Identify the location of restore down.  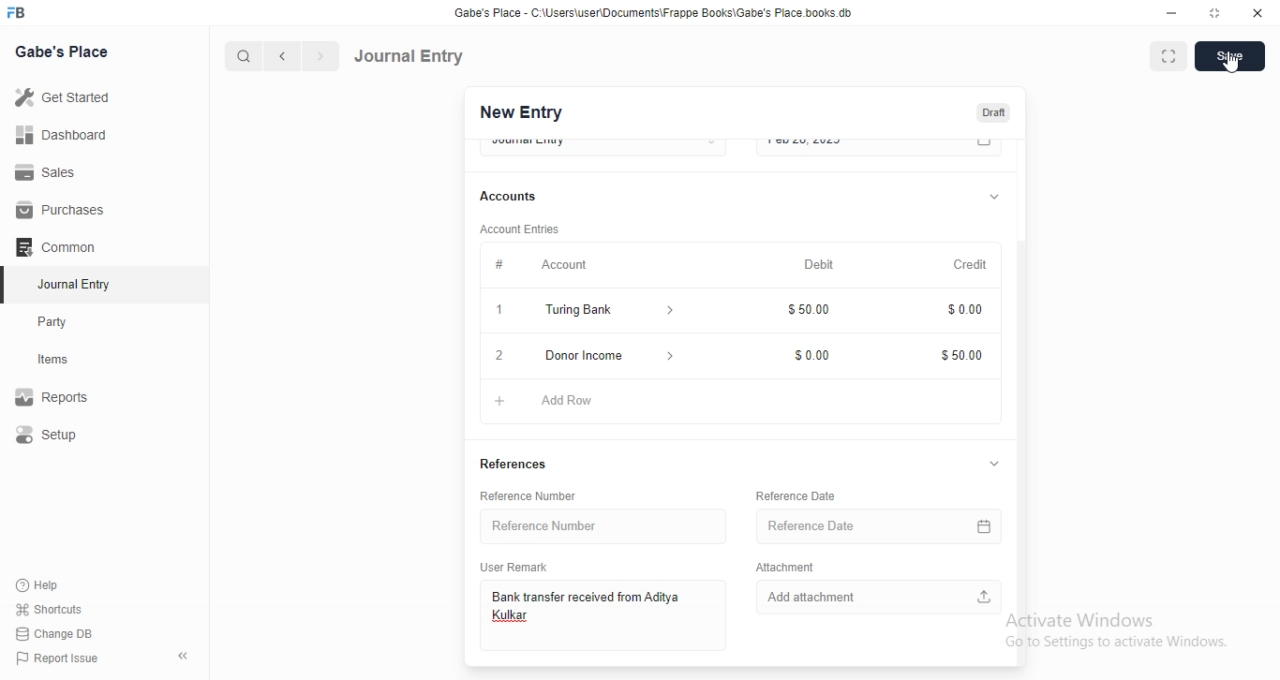
(1216, 15).